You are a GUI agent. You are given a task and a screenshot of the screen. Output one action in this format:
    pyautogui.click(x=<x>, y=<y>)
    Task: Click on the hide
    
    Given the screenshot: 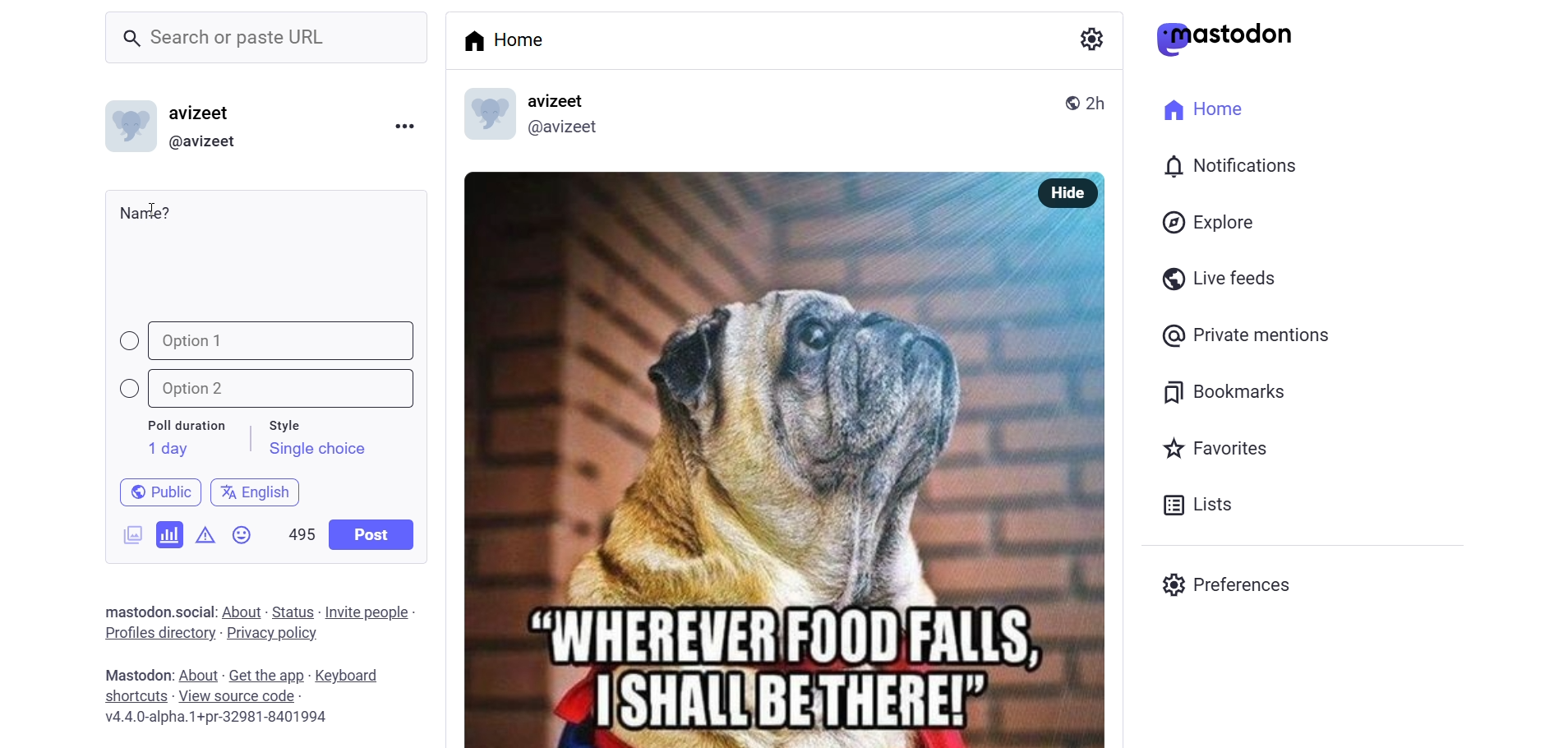 What is the action you would take?
    pyautogui.click(x=1063, y=193)
    